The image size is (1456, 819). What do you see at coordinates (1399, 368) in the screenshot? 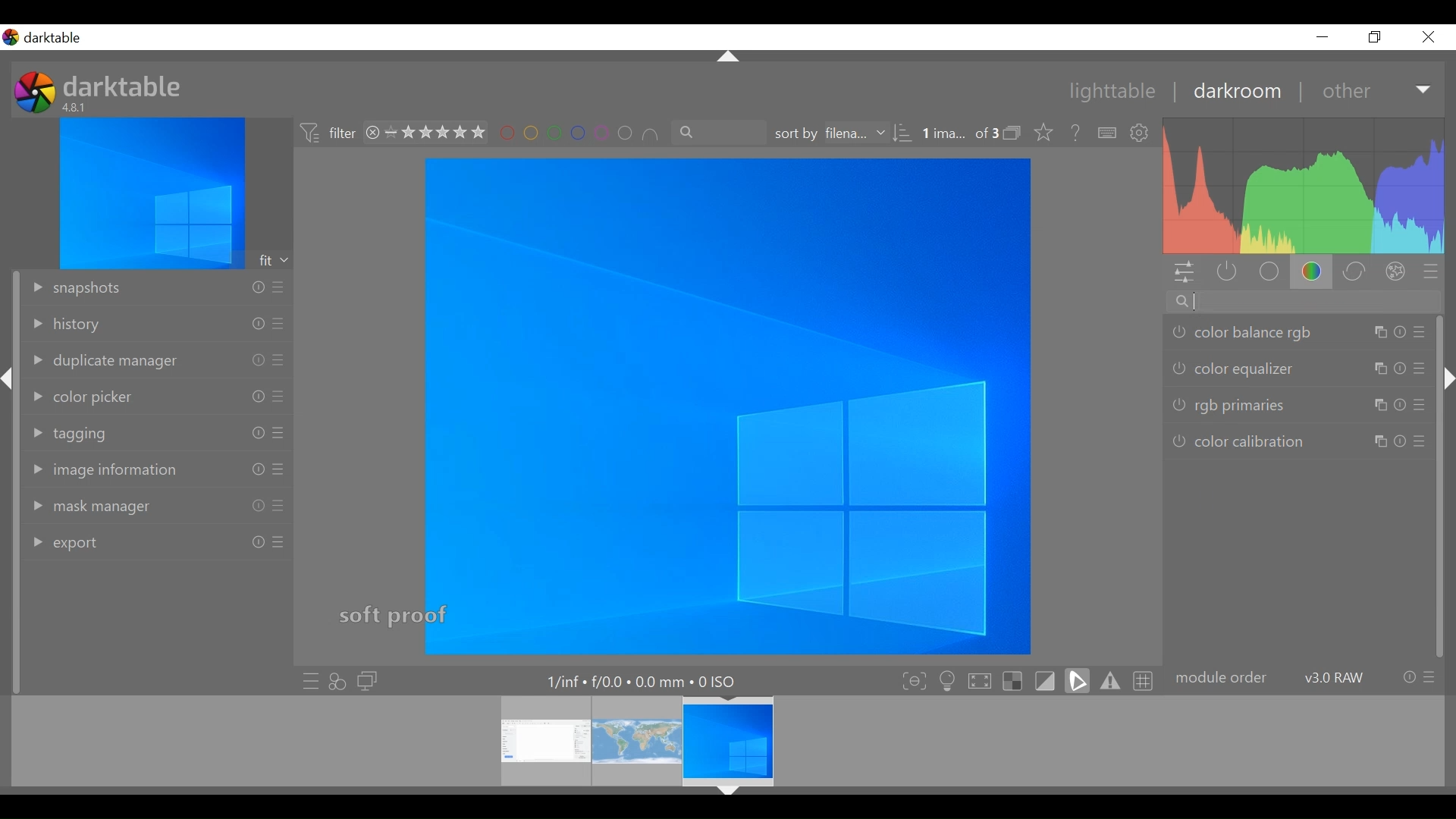
I see `info` at bounding box center [1399, 368].